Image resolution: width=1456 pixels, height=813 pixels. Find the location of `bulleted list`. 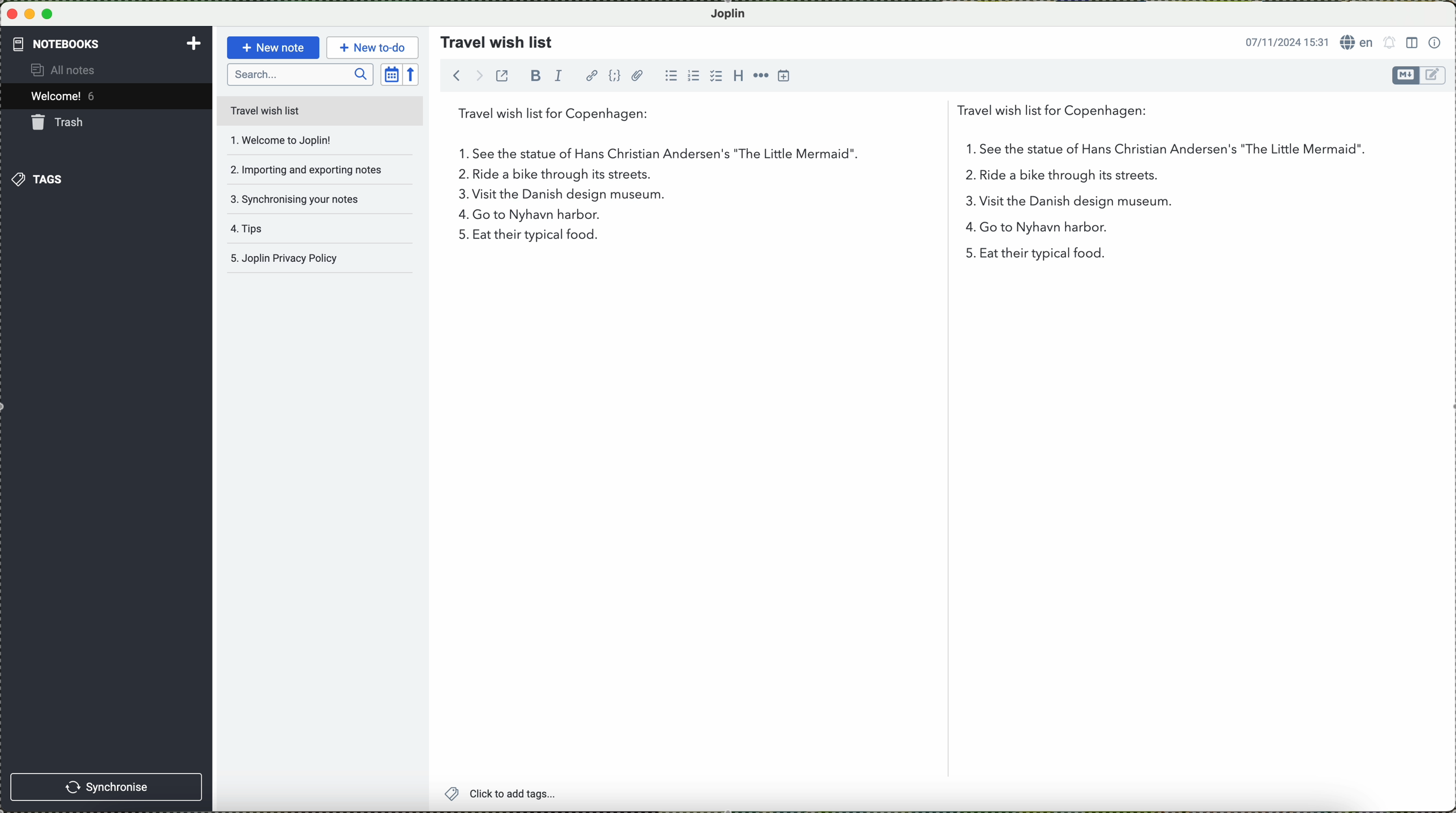

bulleted list is located at coordinates (674, 76).